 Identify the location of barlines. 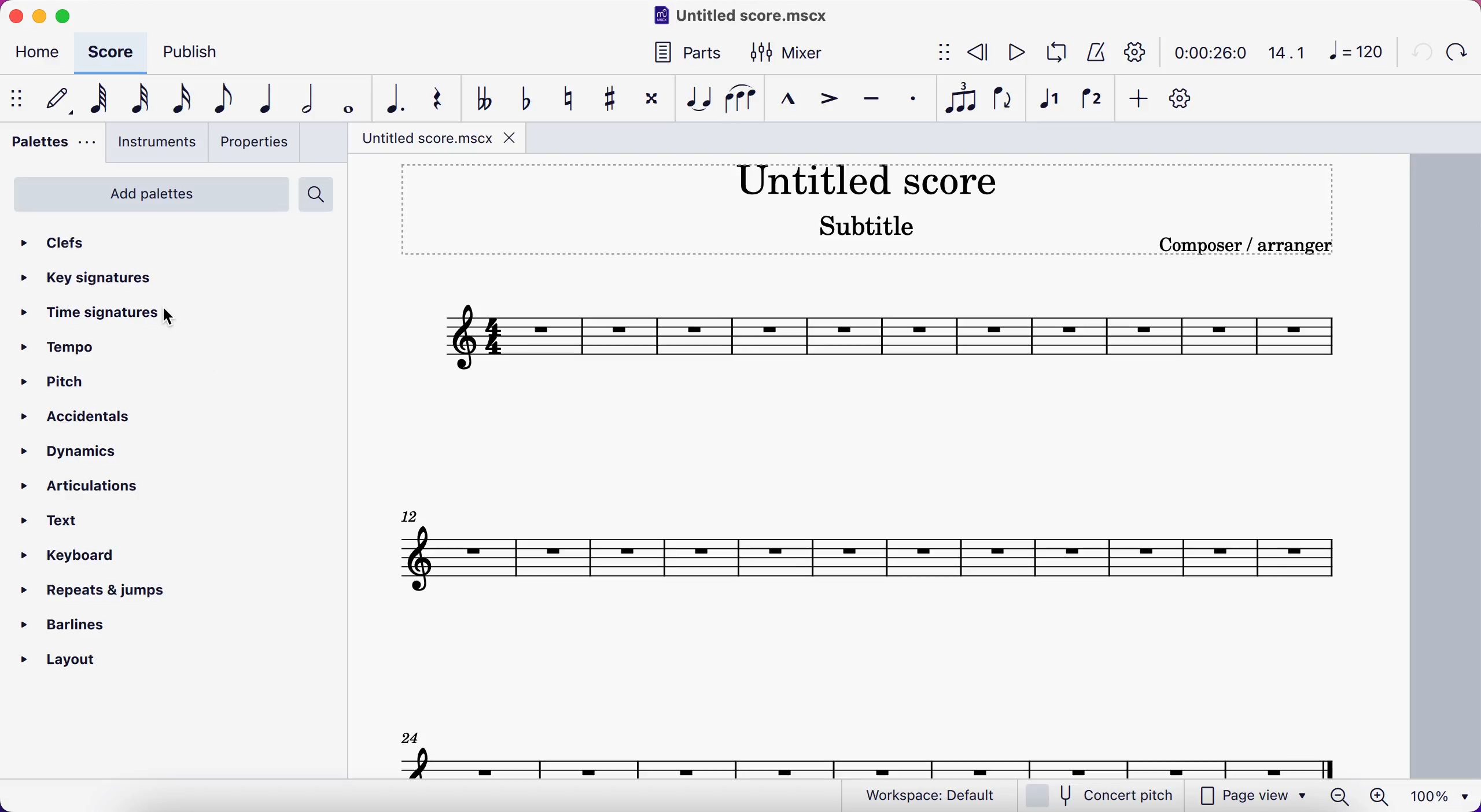
(71, 627).